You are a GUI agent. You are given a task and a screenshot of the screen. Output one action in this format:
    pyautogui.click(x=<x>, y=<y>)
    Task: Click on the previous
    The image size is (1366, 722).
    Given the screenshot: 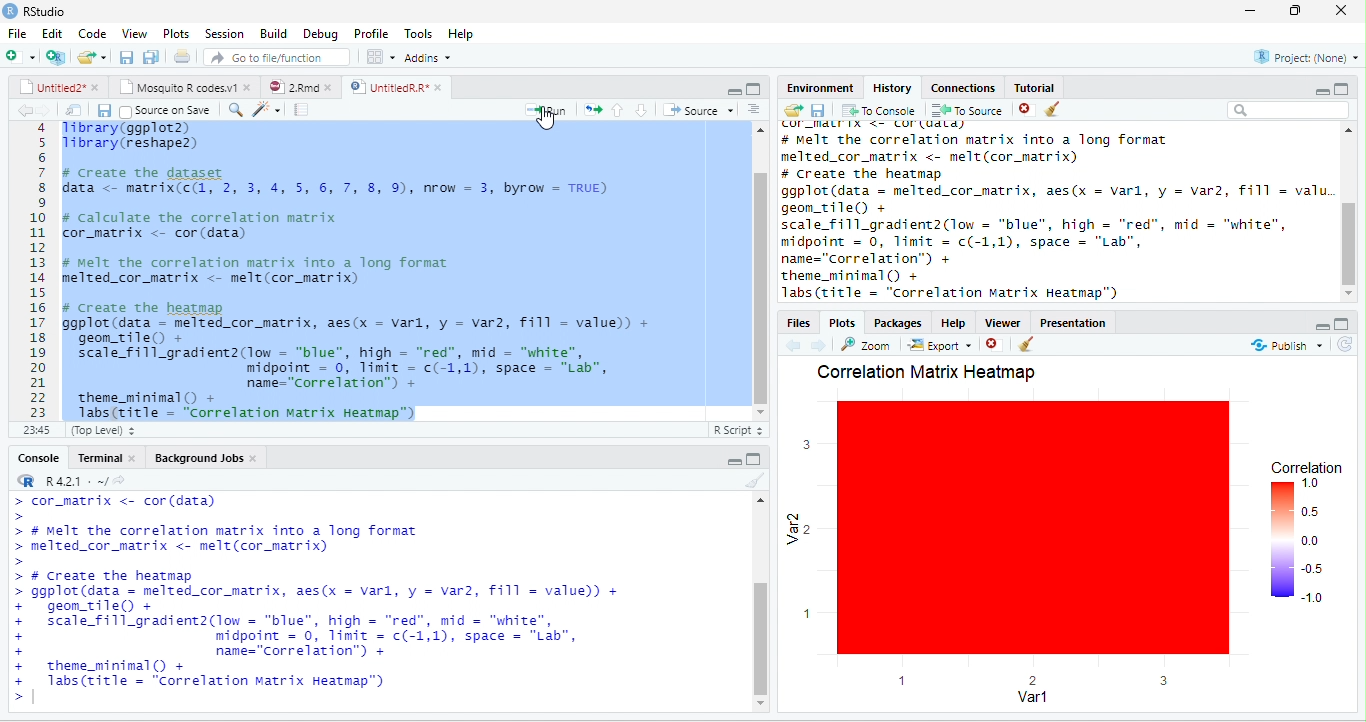 What is the action you would take?
    pyautogui.click(x=797, y=345)
    